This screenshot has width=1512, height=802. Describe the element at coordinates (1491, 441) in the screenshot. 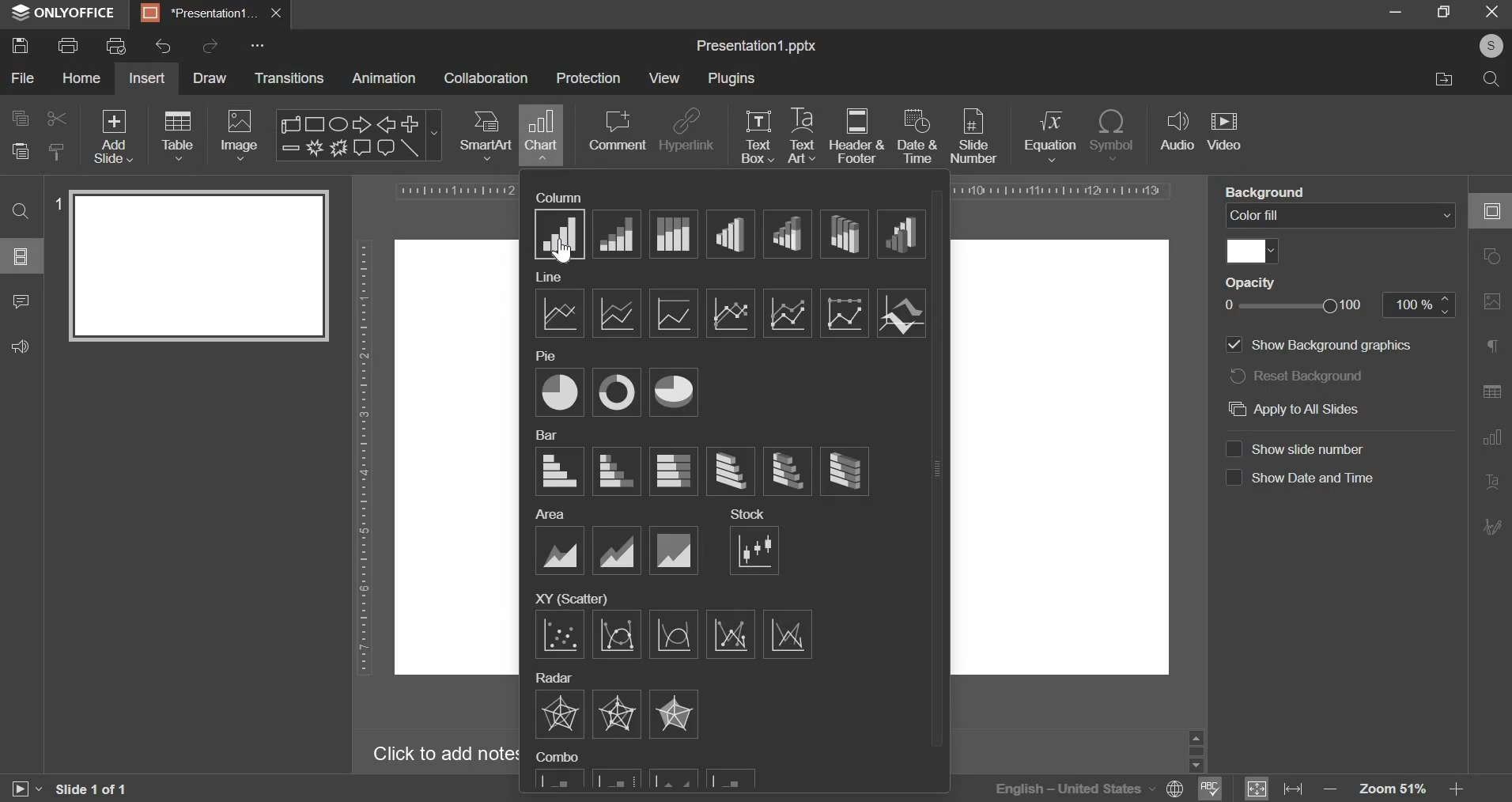

I see `chart settings` at that location.